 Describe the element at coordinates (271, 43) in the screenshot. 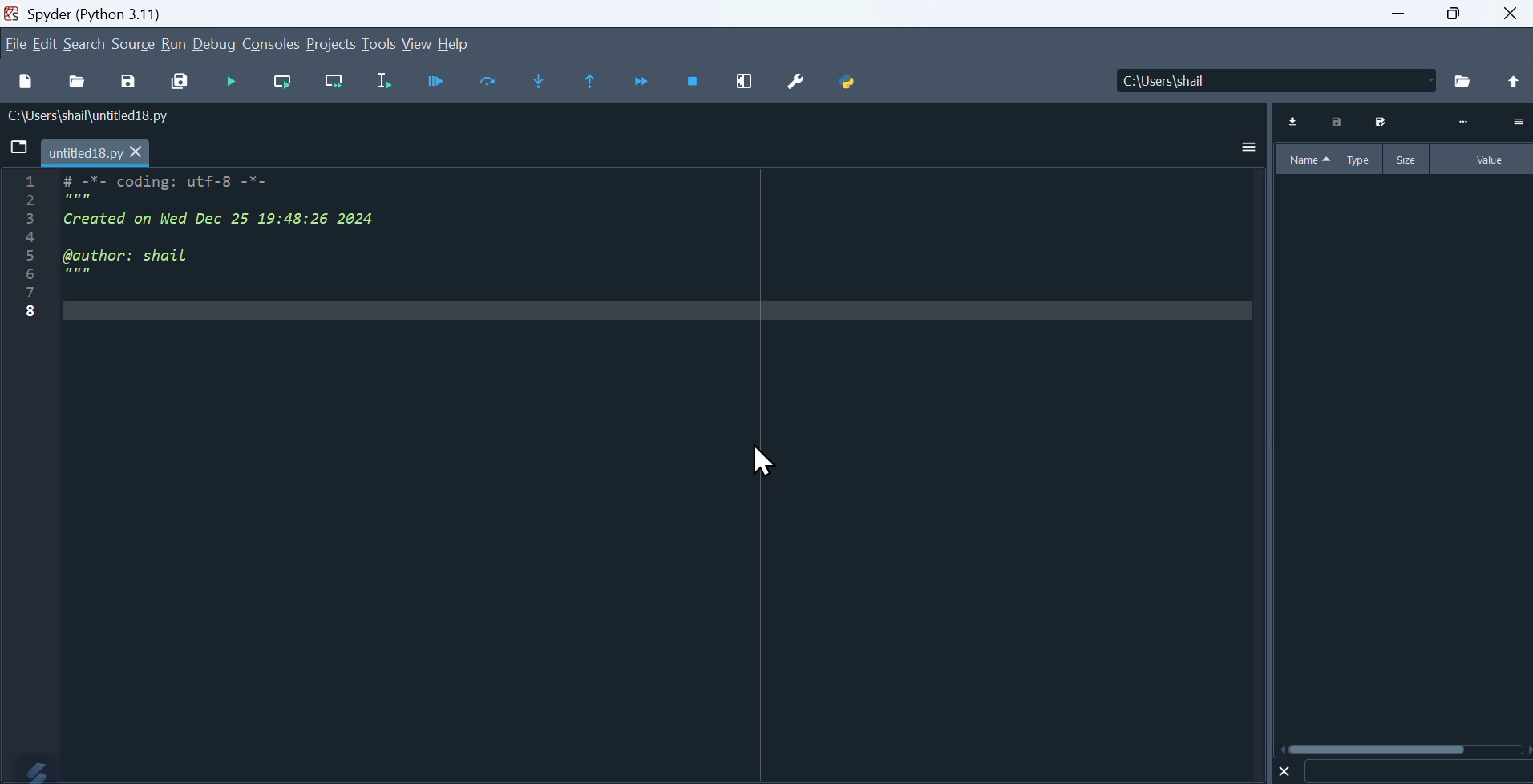

I see `Console` at that location.